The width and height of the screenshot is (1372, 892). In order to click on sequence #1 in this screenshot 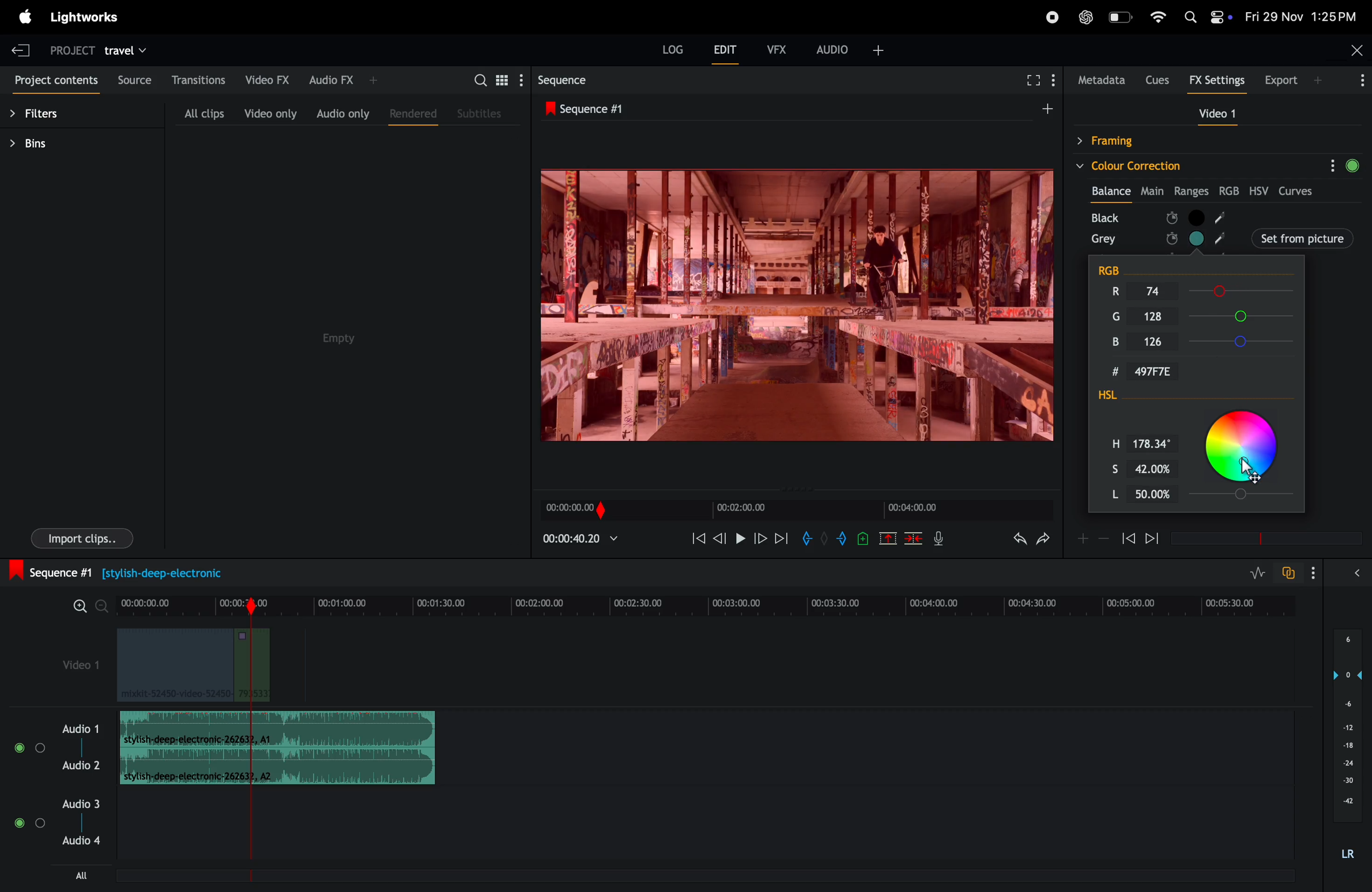, I will do `click(794, 107)`.